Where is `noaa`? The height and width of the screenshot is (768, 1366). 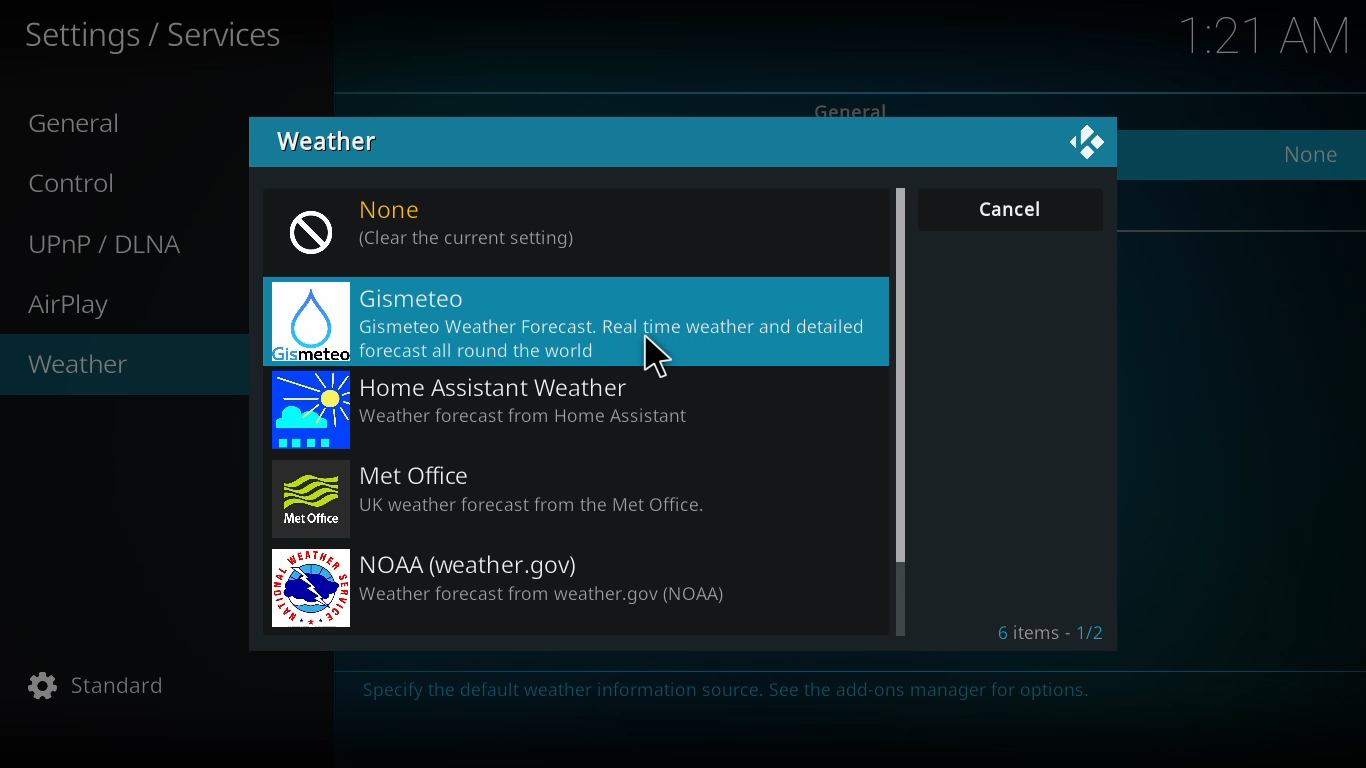 noaa is located at coordinates (516, 588).